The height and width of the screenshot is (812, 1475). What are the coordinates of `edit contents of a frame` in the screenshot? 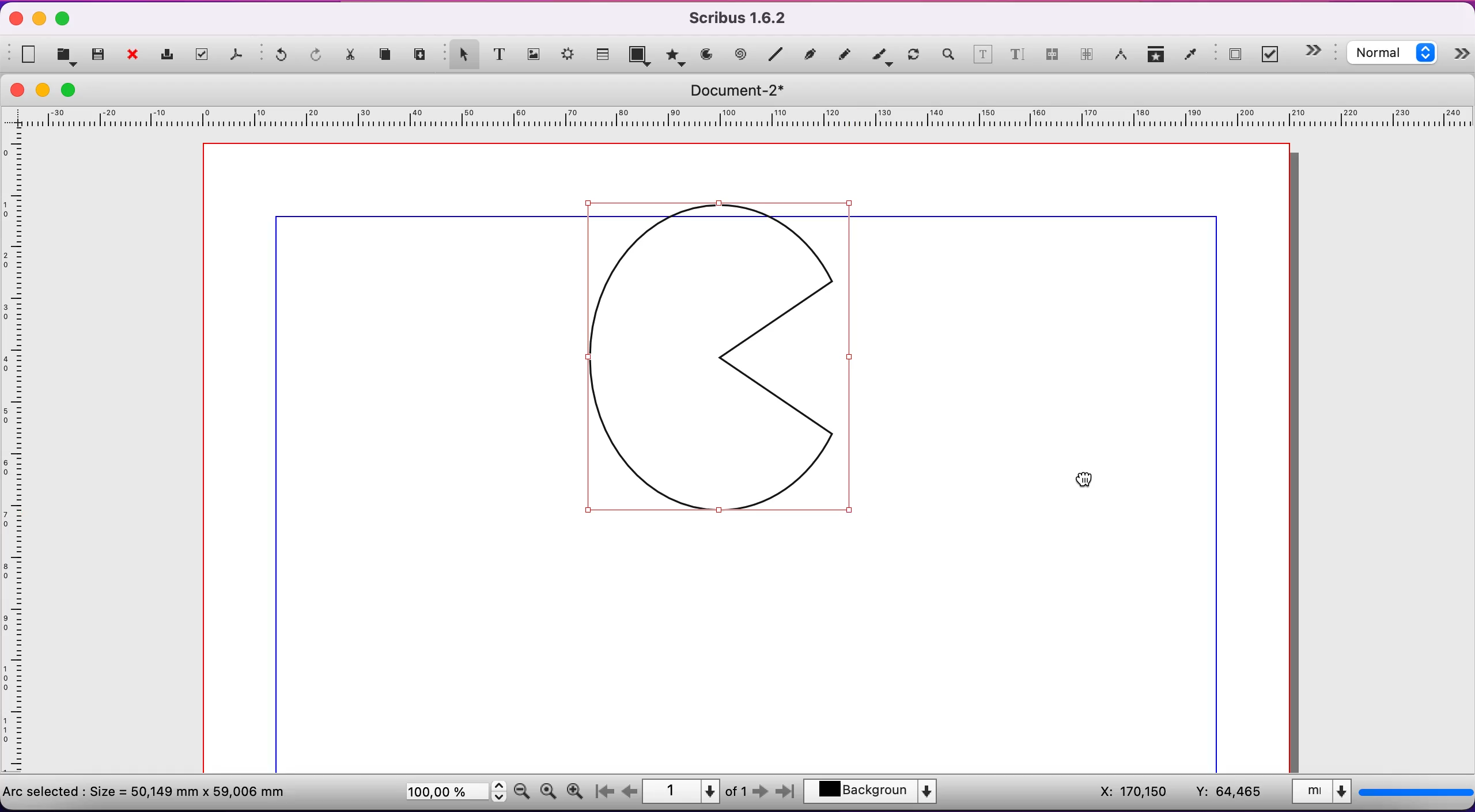 It's located at (983, 56).